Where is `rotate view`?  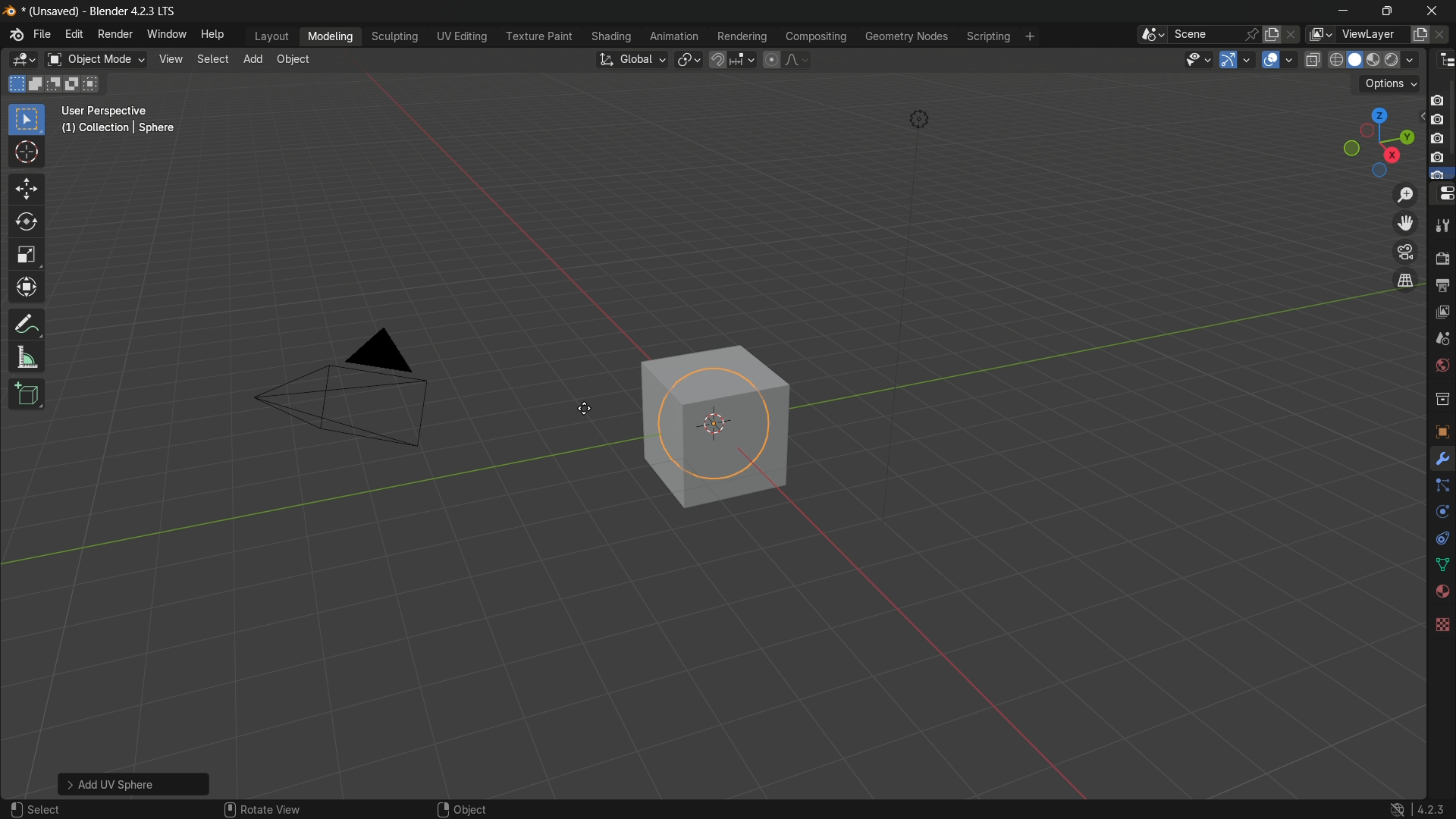
rotate view is located at coordinates (259, 810).